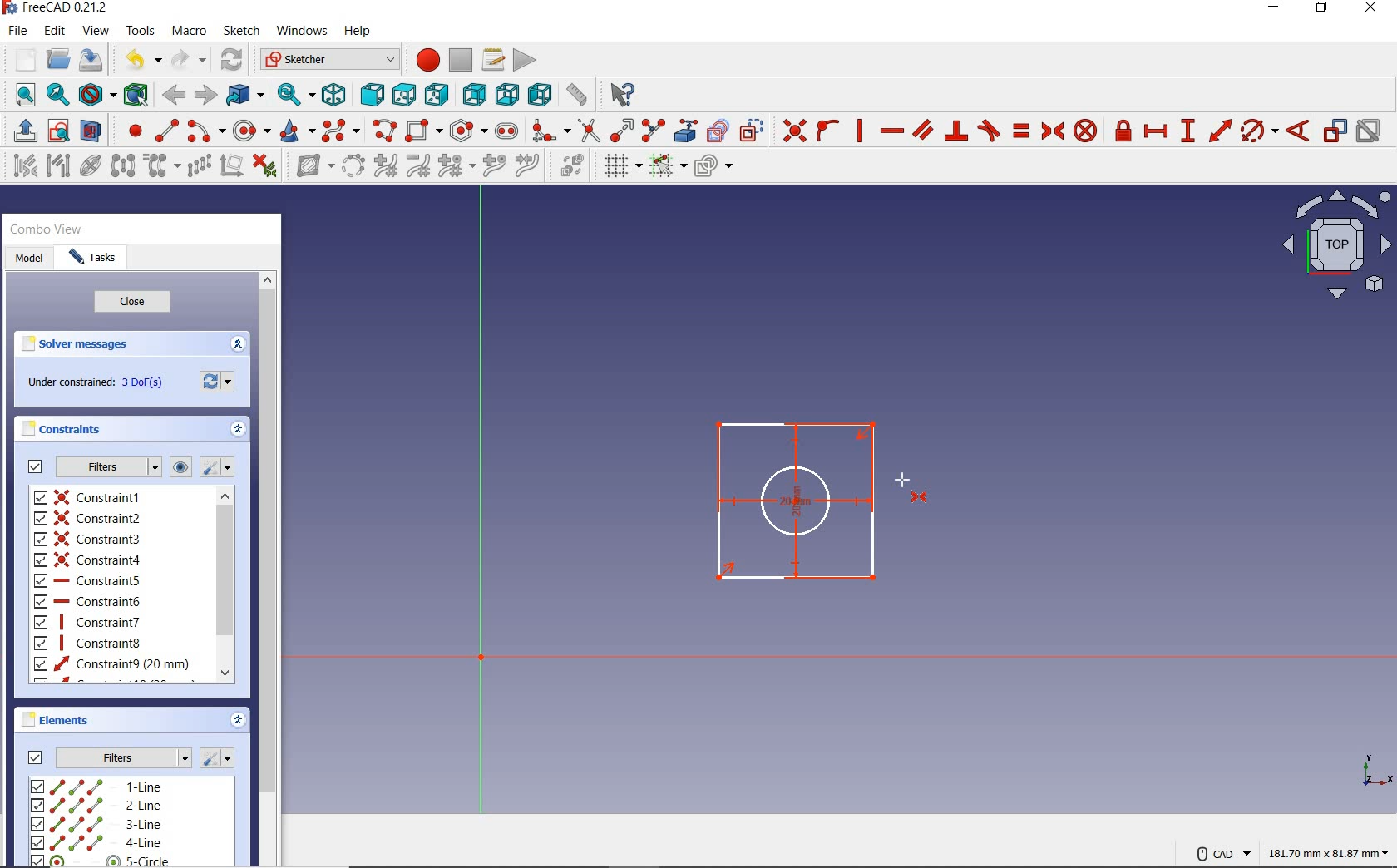 This screenshot has width=1397, height=868. What do you see at coordinates (417, 165) in the screenshot?
I see `decrease B-spline degree` at bounding box center [417, 165].